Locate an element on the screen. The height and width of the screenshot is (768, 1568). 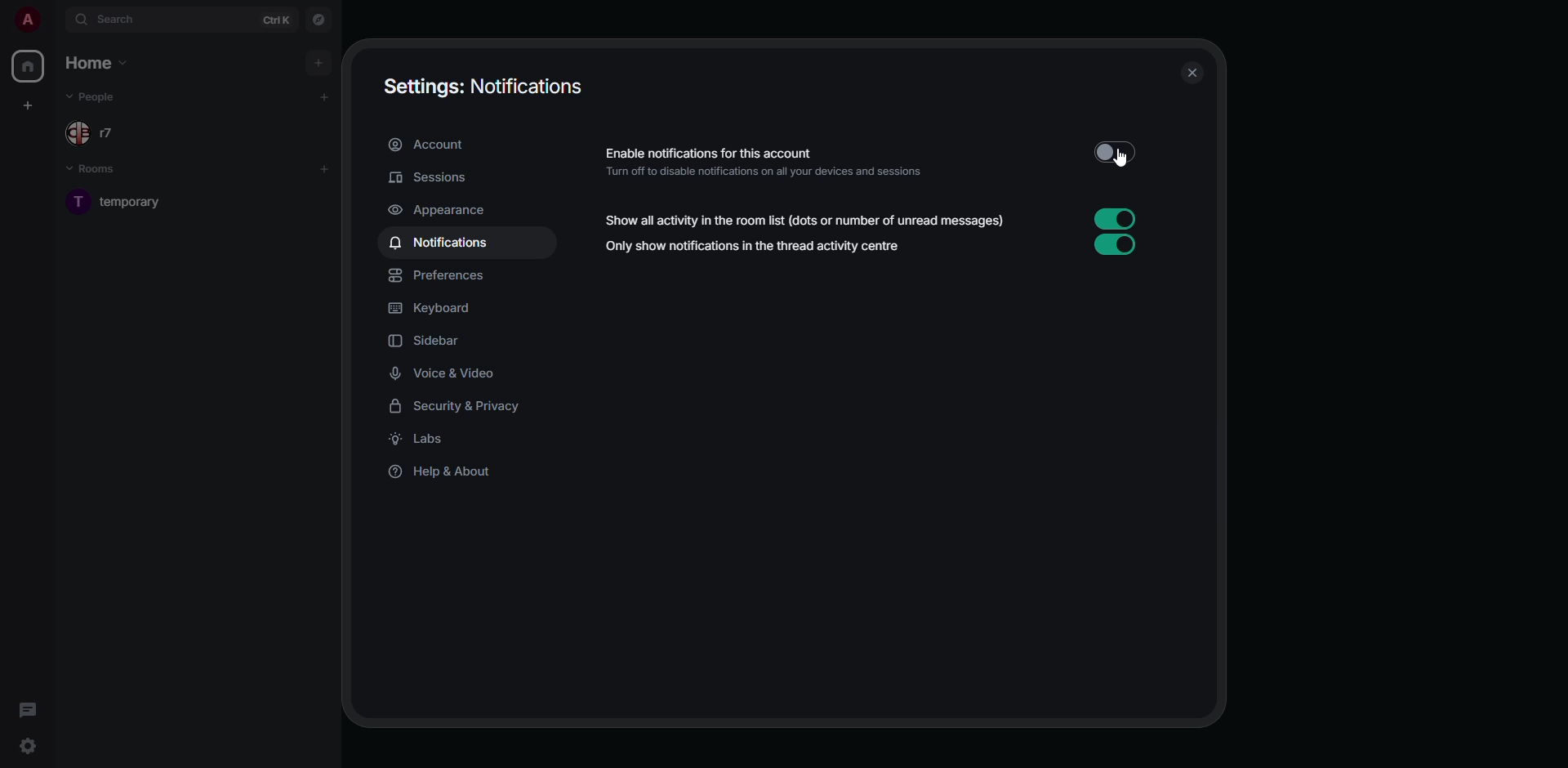
add is located at coordinates (320, 60).